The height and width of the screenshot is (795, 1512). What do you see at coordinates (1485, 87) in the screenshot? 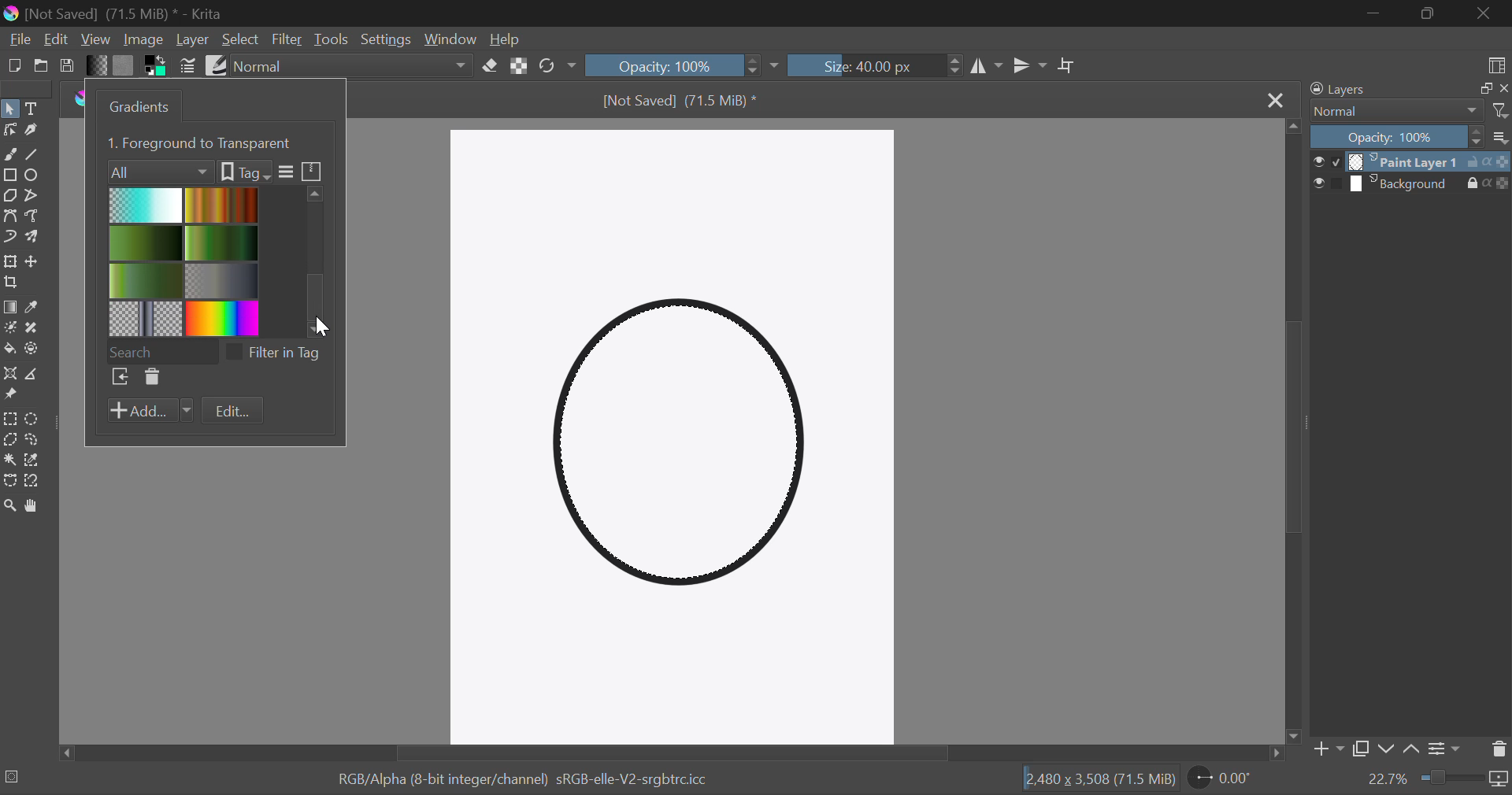
I see `copy` at bounding box center [1485, 87].